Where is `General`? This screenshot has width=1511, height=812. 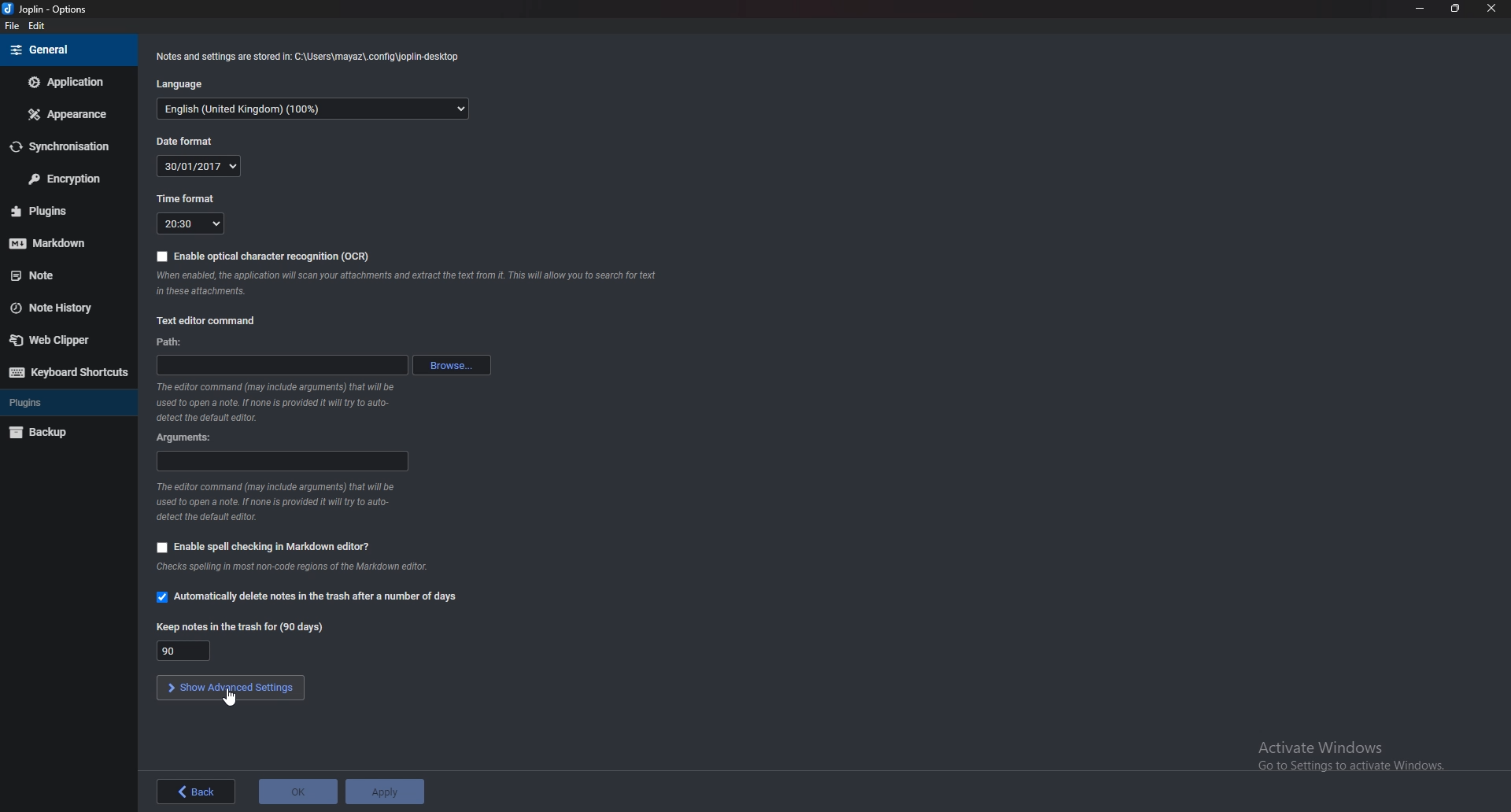 General is located at coordinates (66, 51).